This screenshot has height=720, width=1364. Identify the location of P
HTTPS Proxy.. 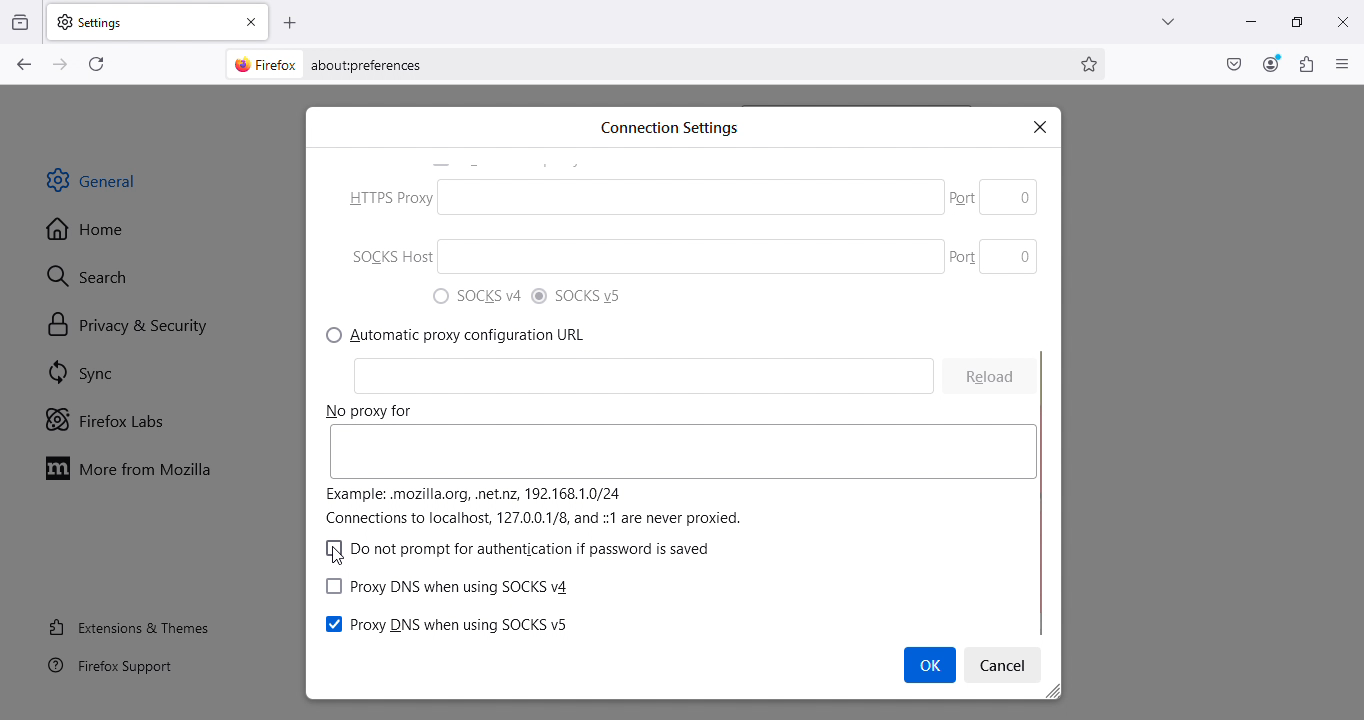
(600, 408).